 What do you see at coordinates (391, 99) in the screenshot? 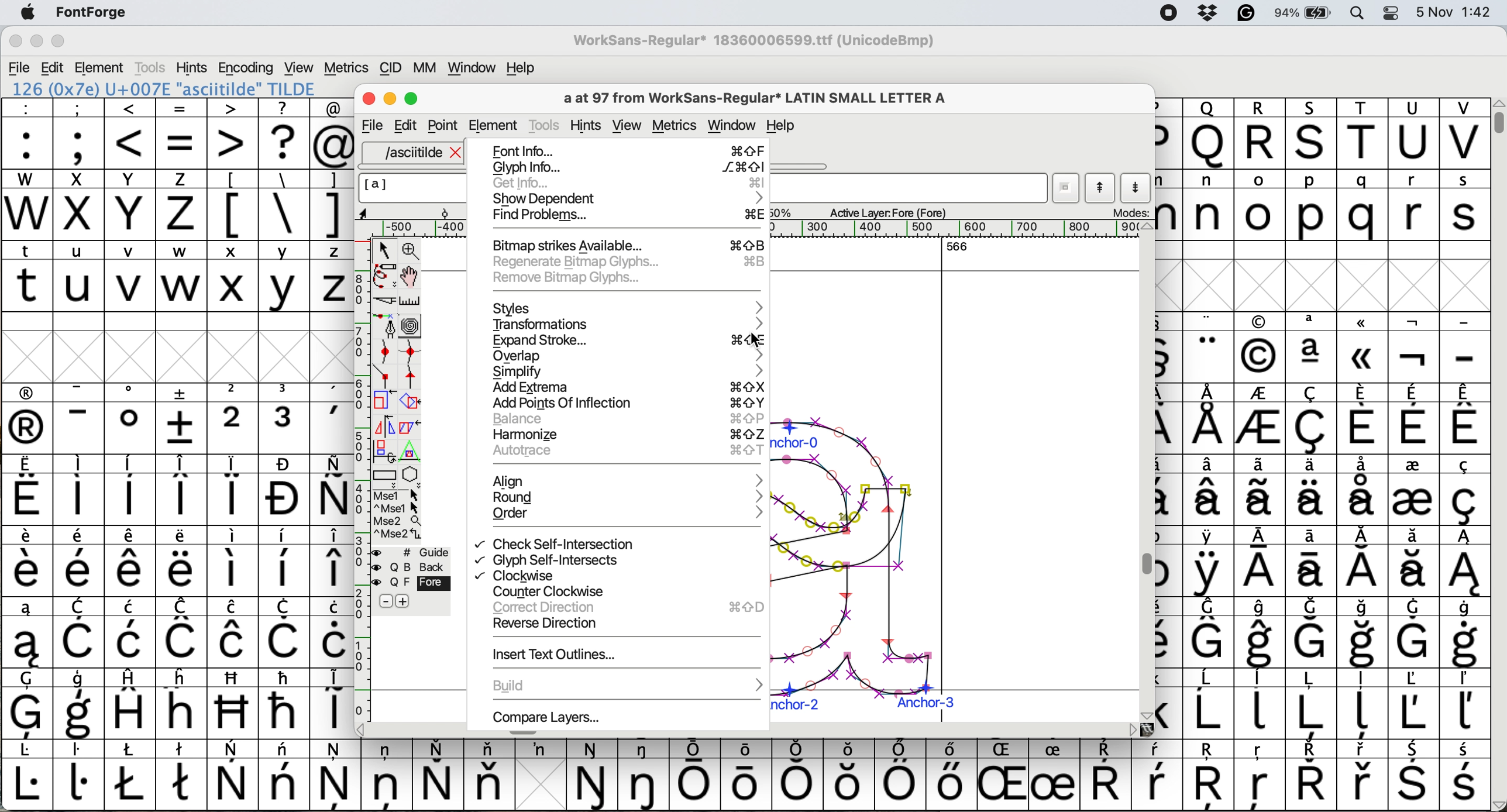
I see `Minimise` at bounding box center [391, 99].